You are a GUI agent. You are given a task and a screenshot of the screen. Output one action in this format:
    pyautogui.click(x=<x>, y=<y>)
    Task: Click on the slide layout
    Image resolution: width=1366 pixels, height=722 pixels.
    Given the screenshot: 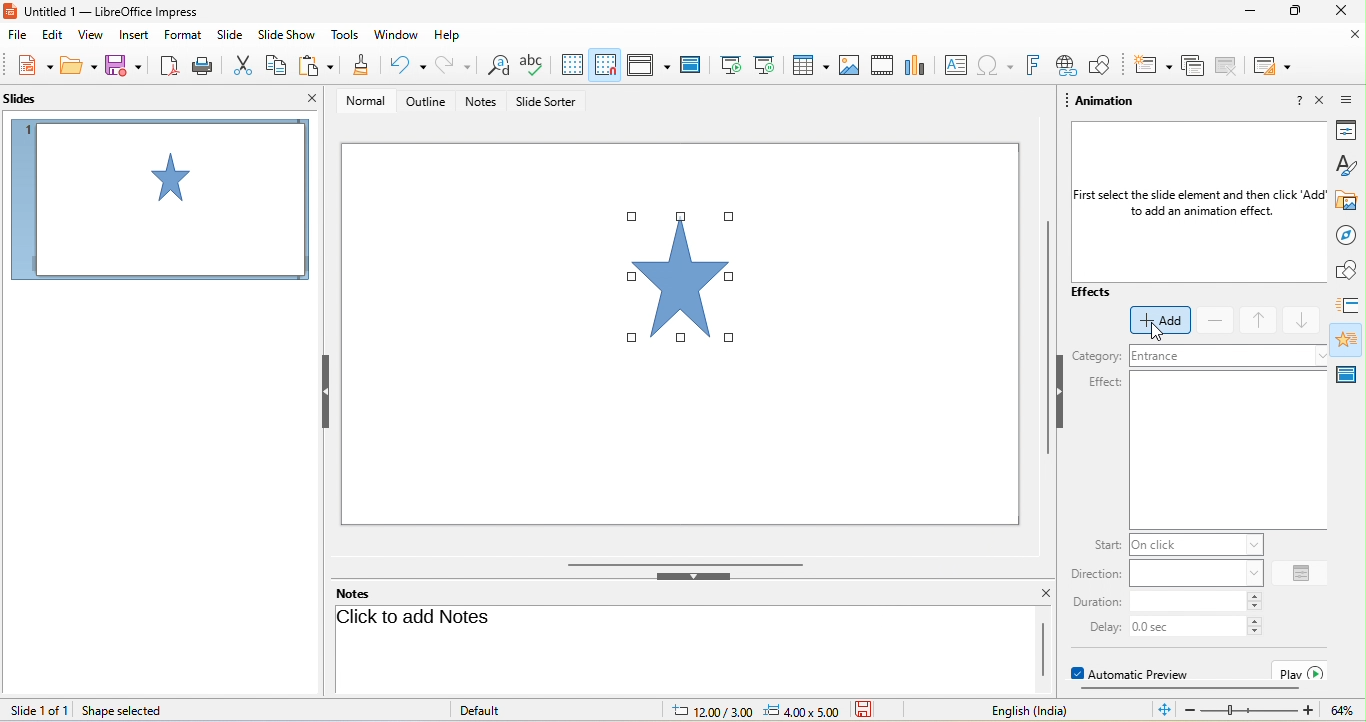 What is the action you would take?
    pyautogui.click(x=1273, y=67)
    